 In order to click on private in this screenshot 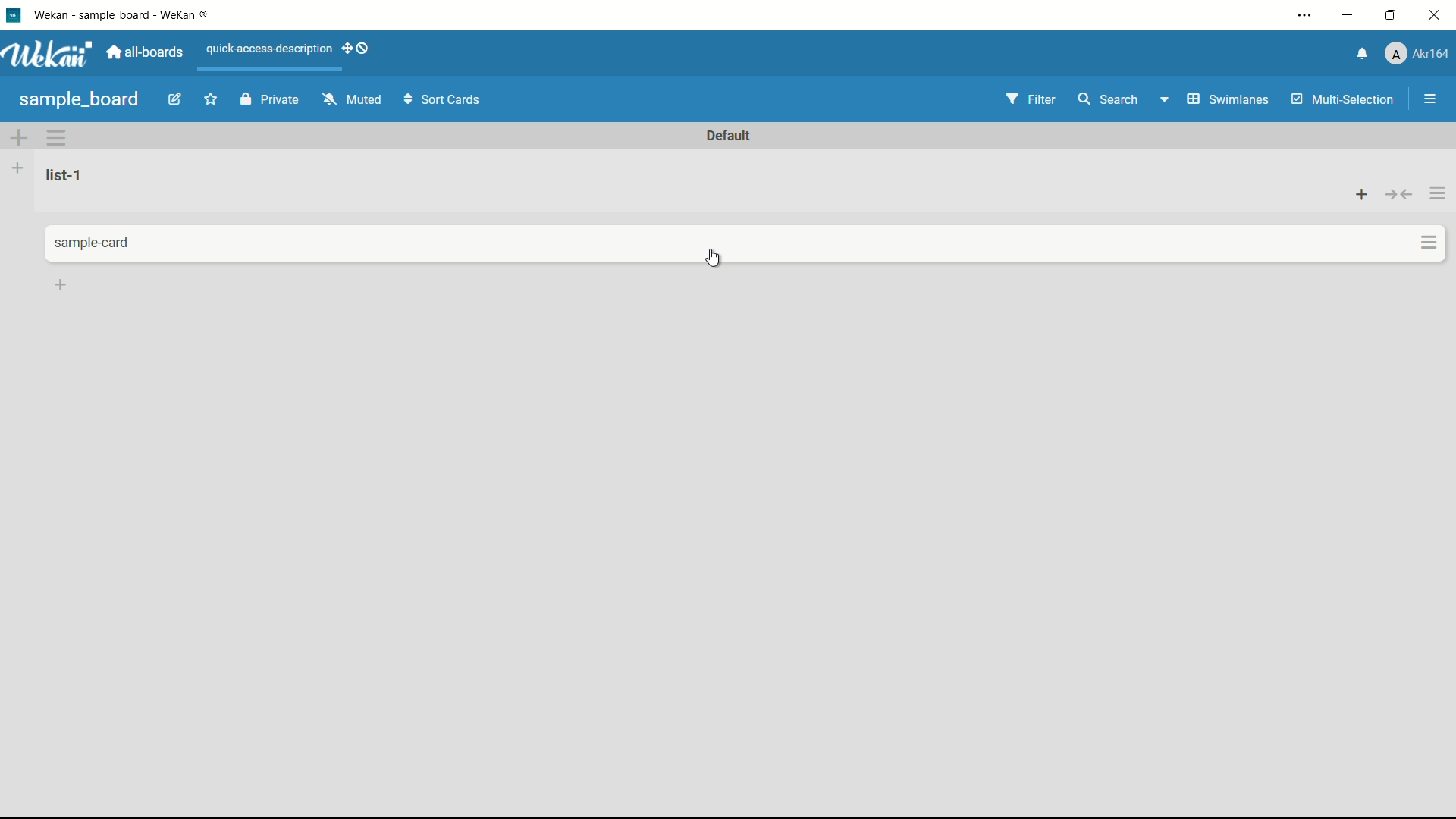, I will do `click(270, 101)`.